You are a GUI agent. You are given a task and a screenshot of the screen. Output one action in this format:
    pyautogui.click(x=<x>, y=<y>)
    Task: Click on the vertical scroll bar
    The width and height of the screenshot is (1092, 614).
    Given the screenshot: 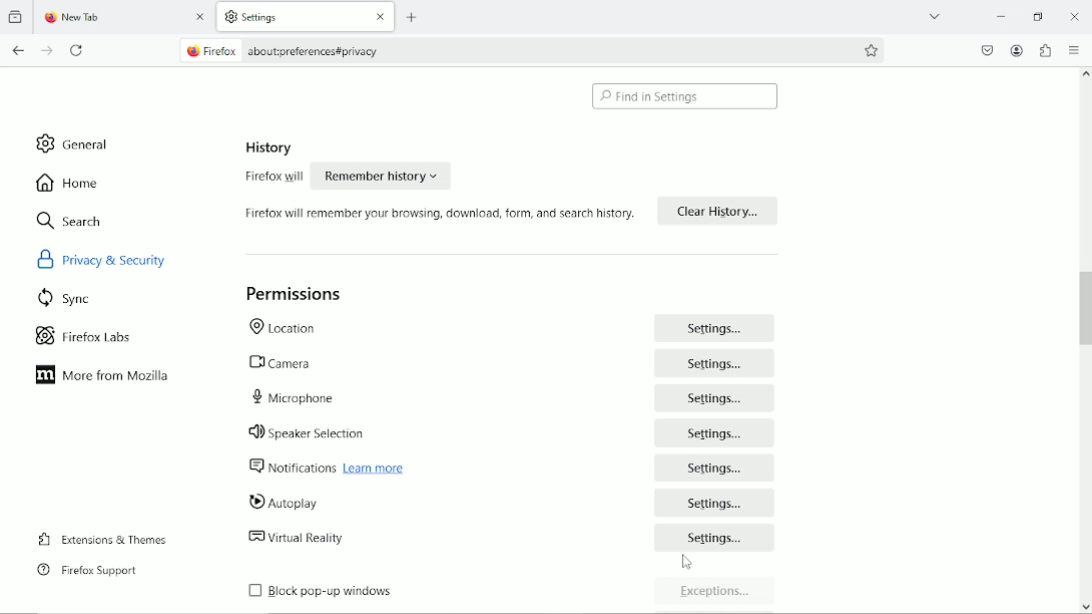 What is the action you would take?
    pyautogui.click(x=1084, y=309)
    